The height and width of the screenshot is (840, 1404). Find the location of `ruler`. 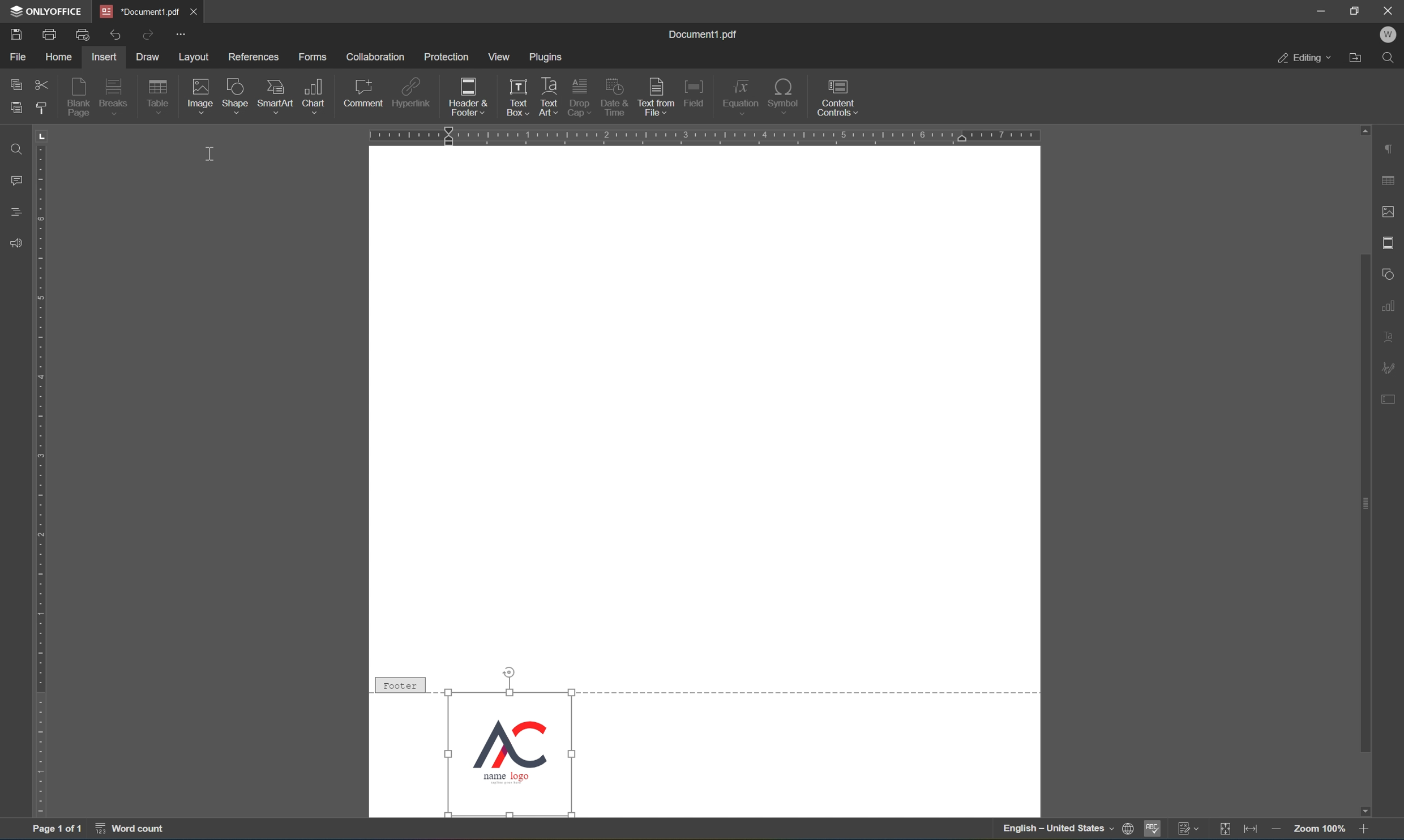

ruler is located at coordinates (709, 136).